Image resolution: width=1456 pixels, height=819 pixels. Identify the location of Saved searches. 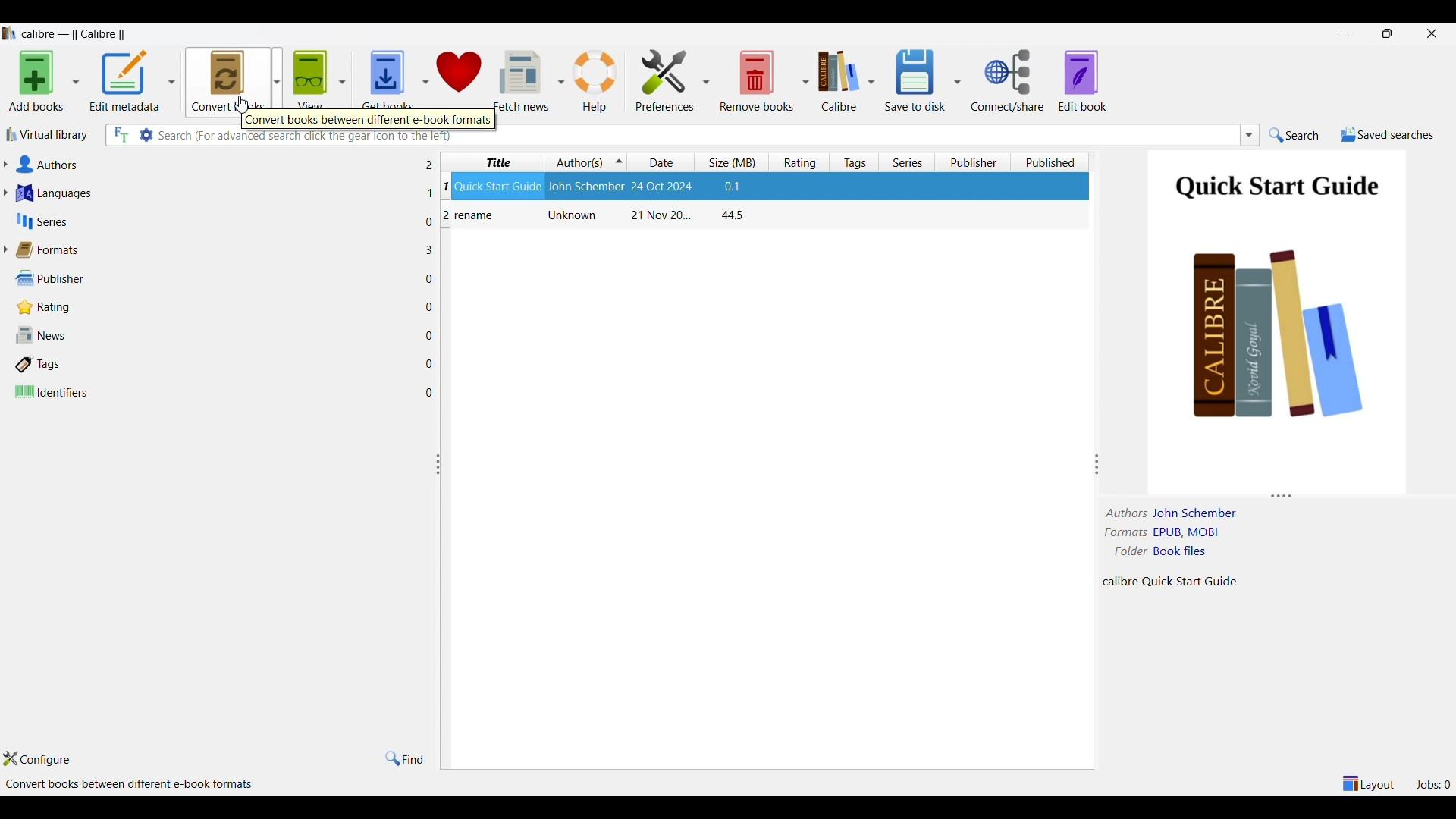
(1388, 135).